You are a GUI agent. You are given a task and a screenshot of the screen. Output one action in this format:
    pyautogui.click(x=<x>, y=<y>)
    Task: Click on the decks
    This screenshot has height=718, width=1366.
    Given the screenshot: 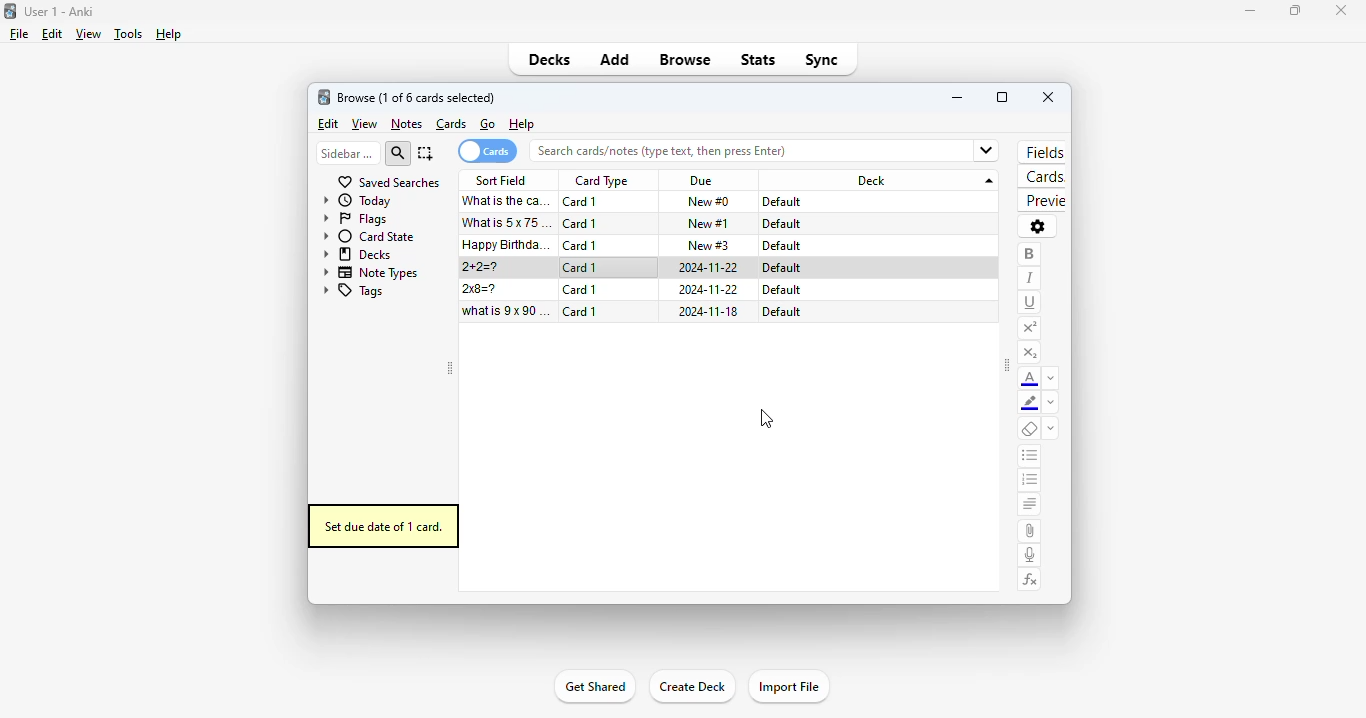 What is the action you would take?
    pyautogui.click(x=358, y=254)
    